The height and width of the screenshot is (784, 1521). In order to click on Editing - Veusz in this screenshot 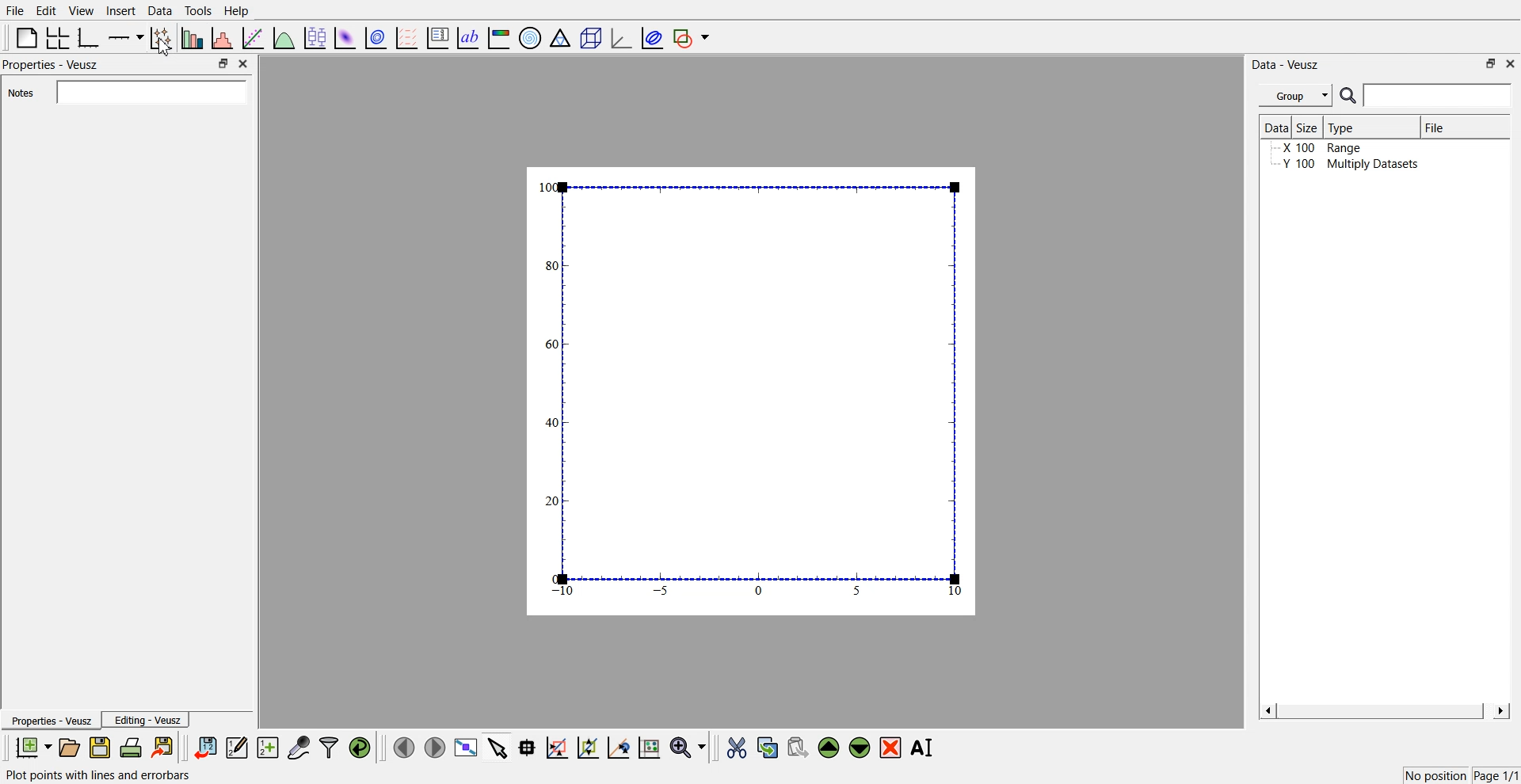, I will do `click(147, 720)`.